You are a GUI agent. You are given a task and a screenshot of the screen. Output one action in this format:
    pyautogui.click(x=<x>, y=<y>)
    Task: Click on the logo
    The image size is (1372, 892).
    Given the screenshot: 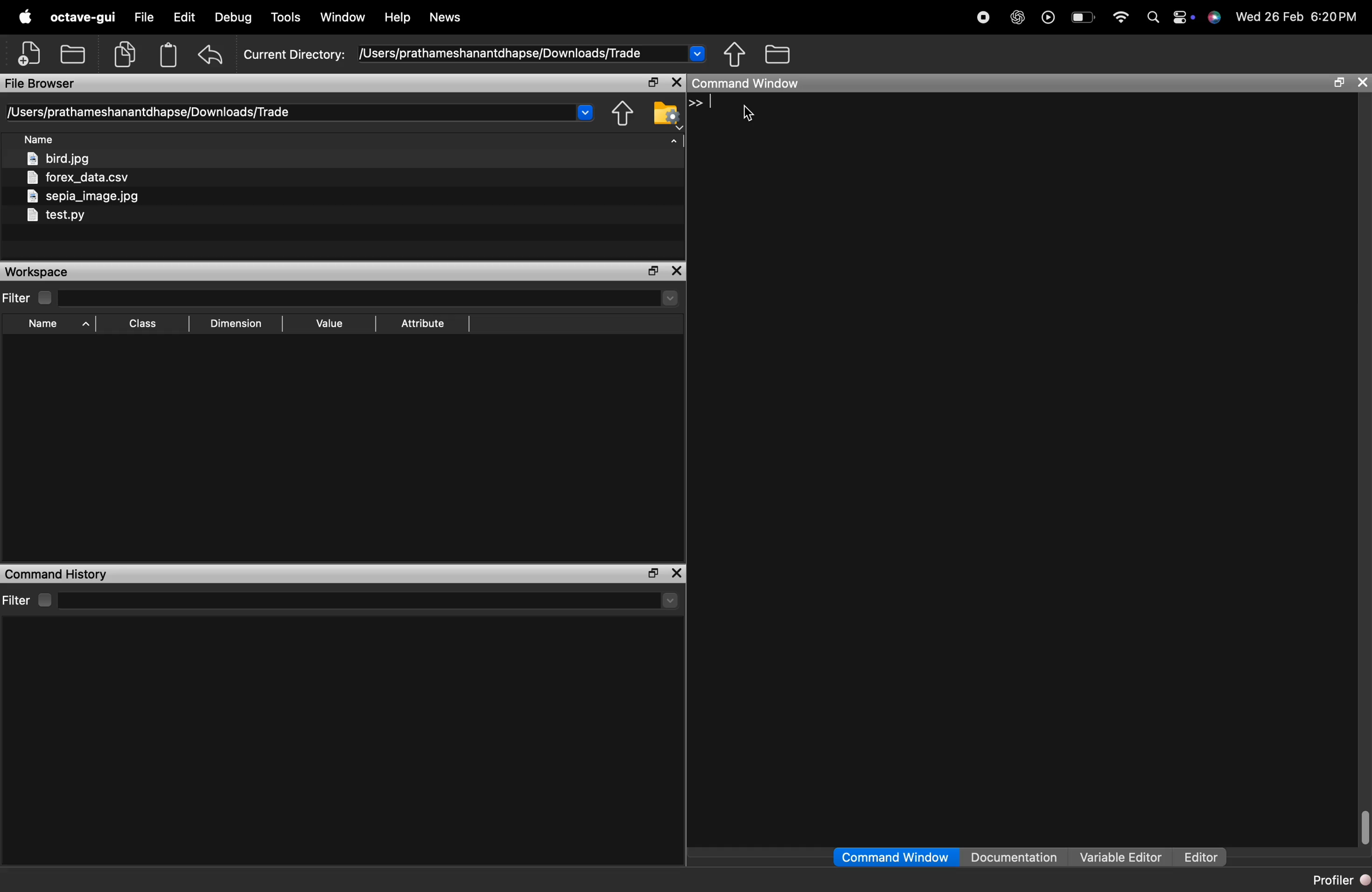 What is the action you would take?
    pyautogui.click(x=1215, y=17)
    